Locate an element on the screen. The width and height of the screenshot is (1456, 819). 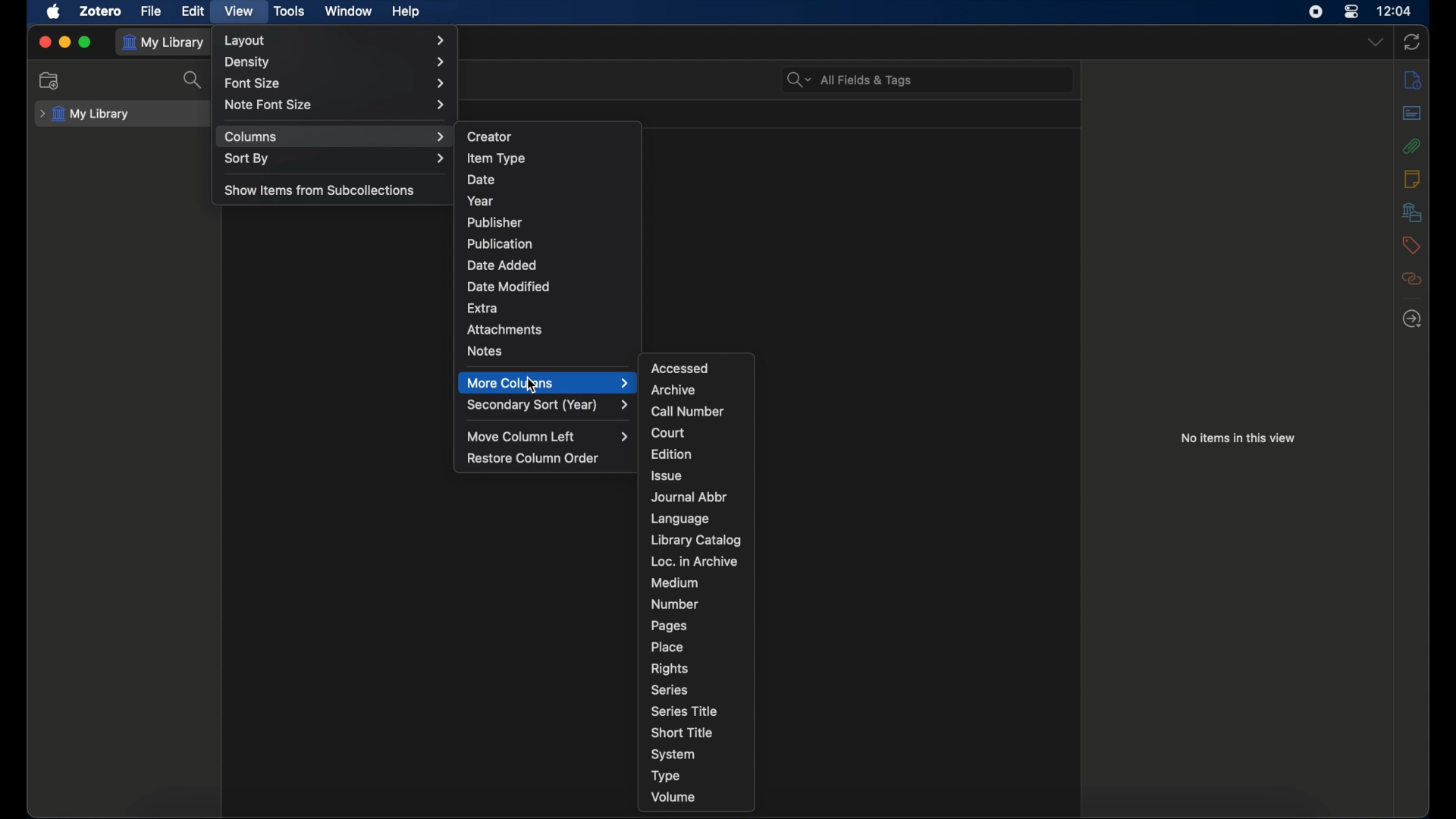
attachments is located at coordinates (1411, 146).